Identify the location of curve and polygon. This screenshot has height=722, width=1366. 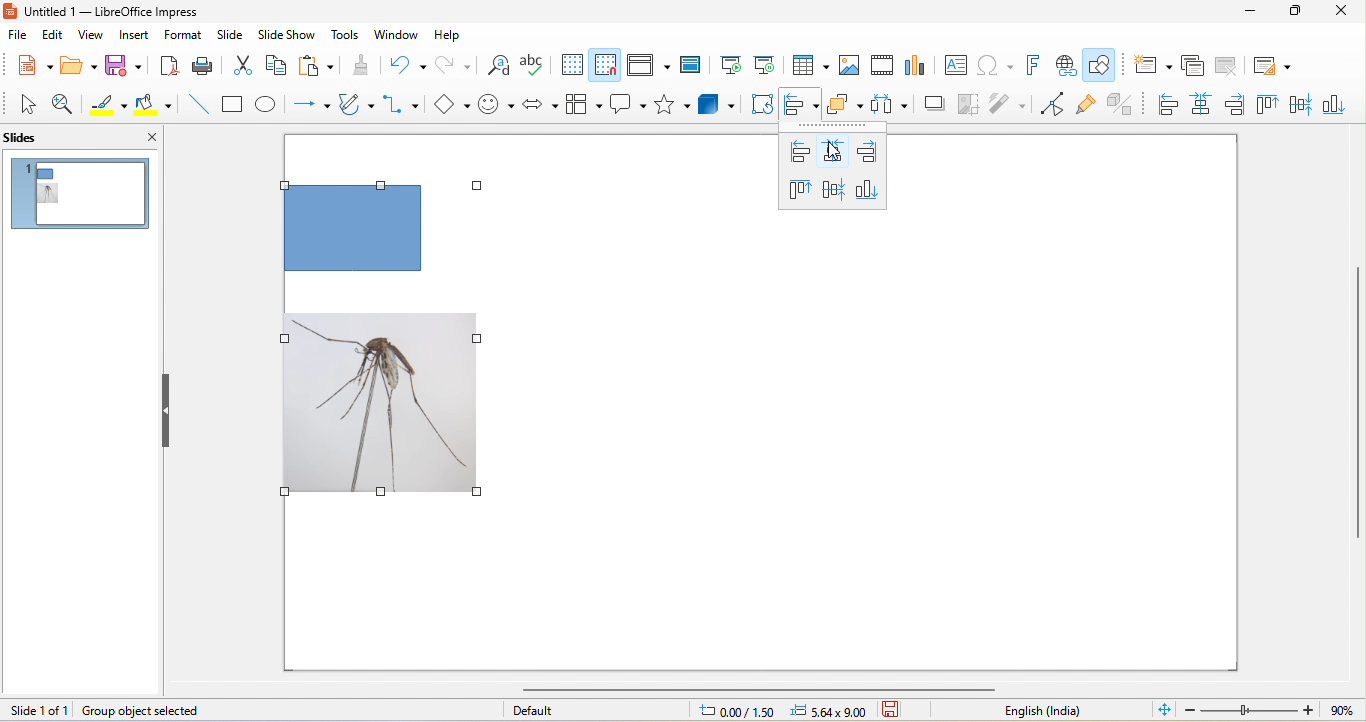
(359, 106).